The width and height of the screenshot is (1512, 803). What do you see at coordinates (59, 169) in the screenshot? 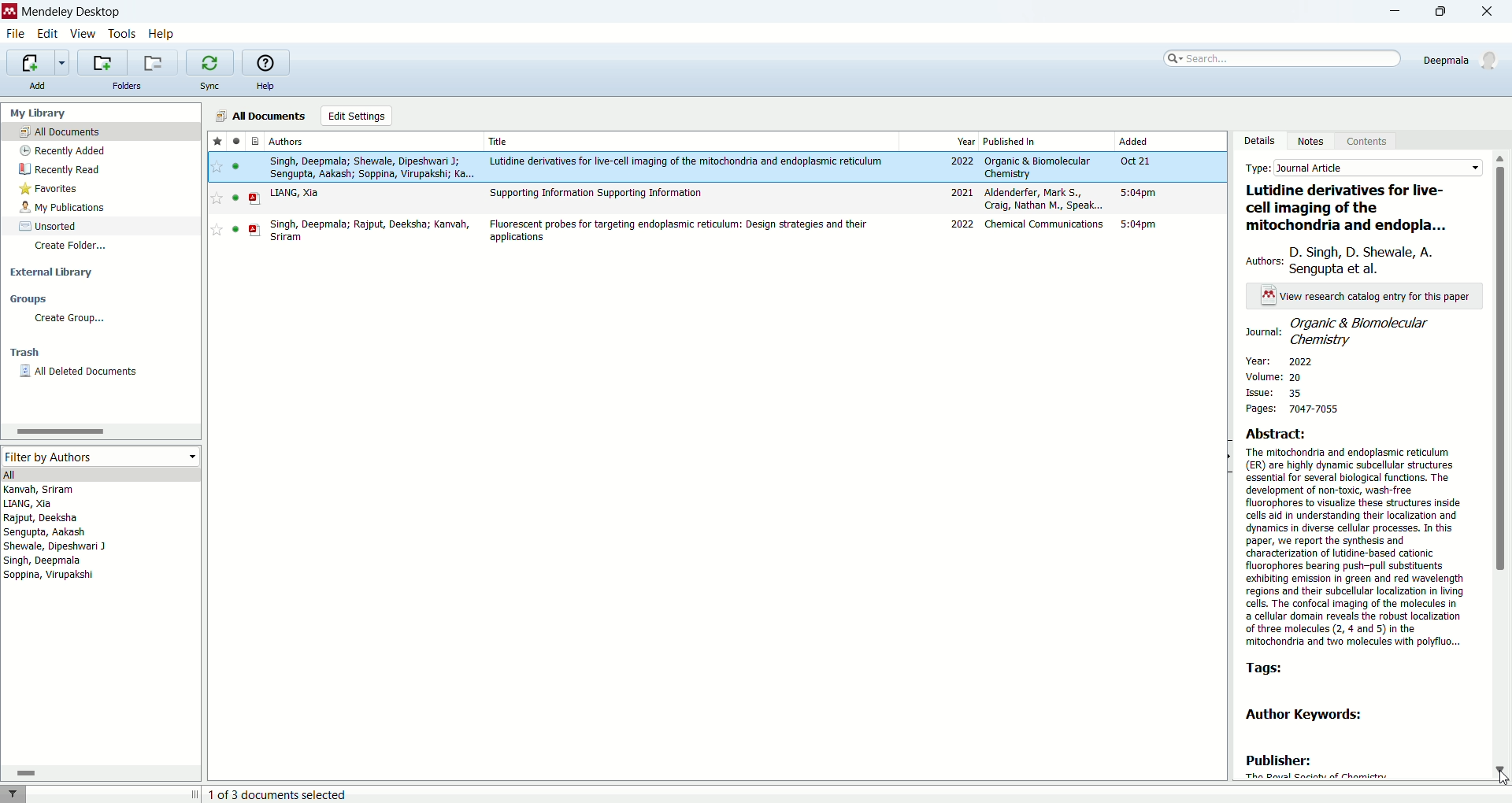
I see `recently read` at bounding box center [59, 169].